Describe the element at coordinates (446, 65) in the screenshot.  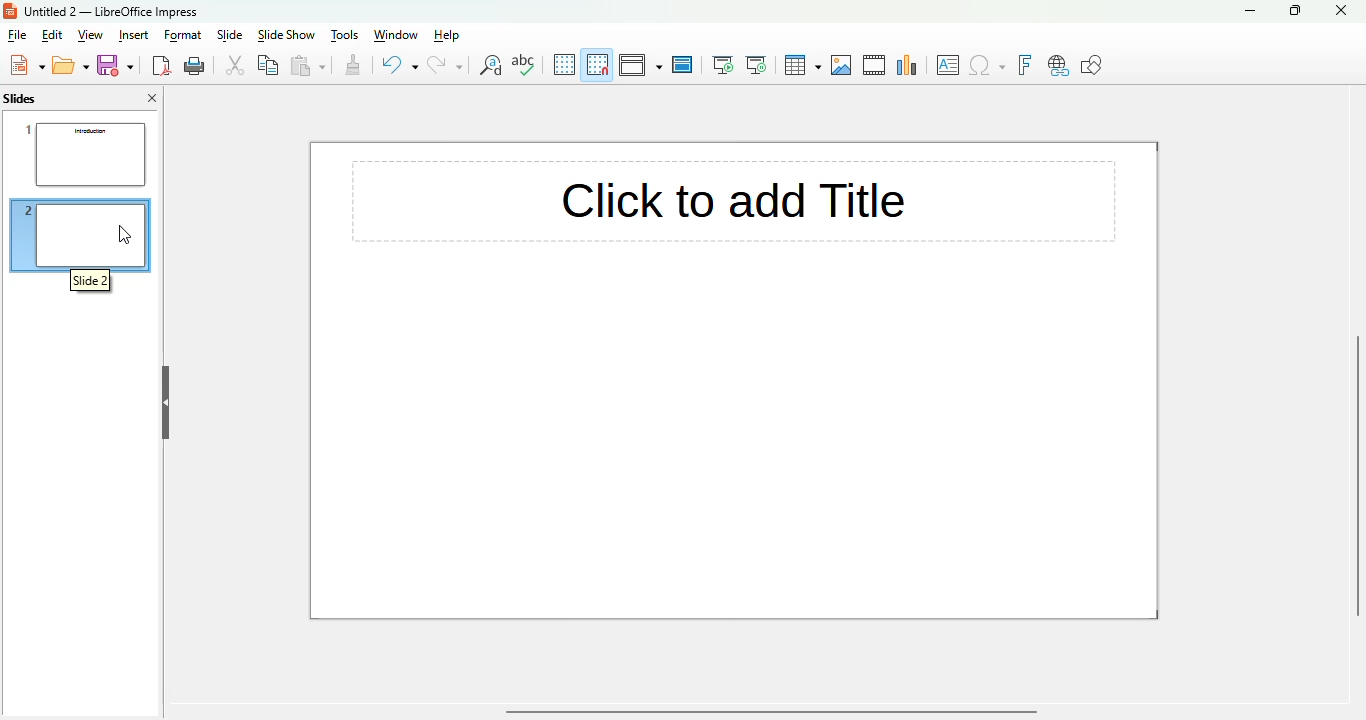
I see `redo` at that location.